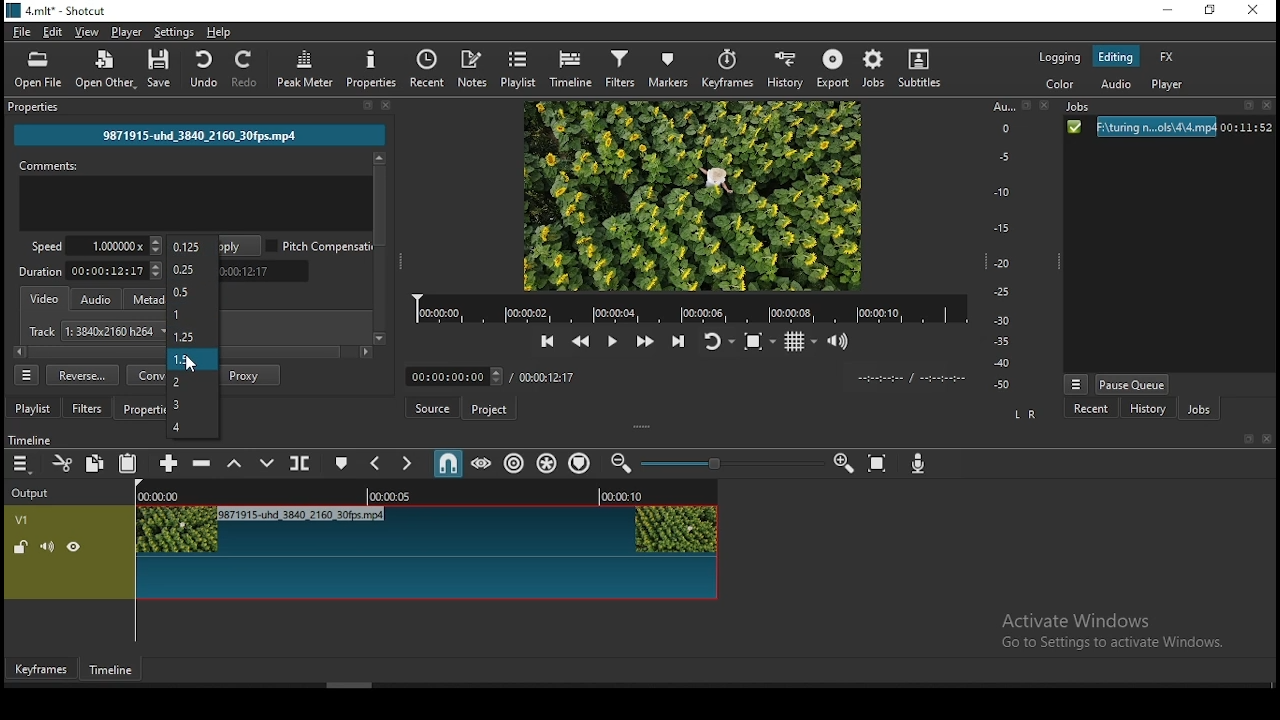 This screenshot has width=1280, height=720. I want to click on recent, so click(432, 69).